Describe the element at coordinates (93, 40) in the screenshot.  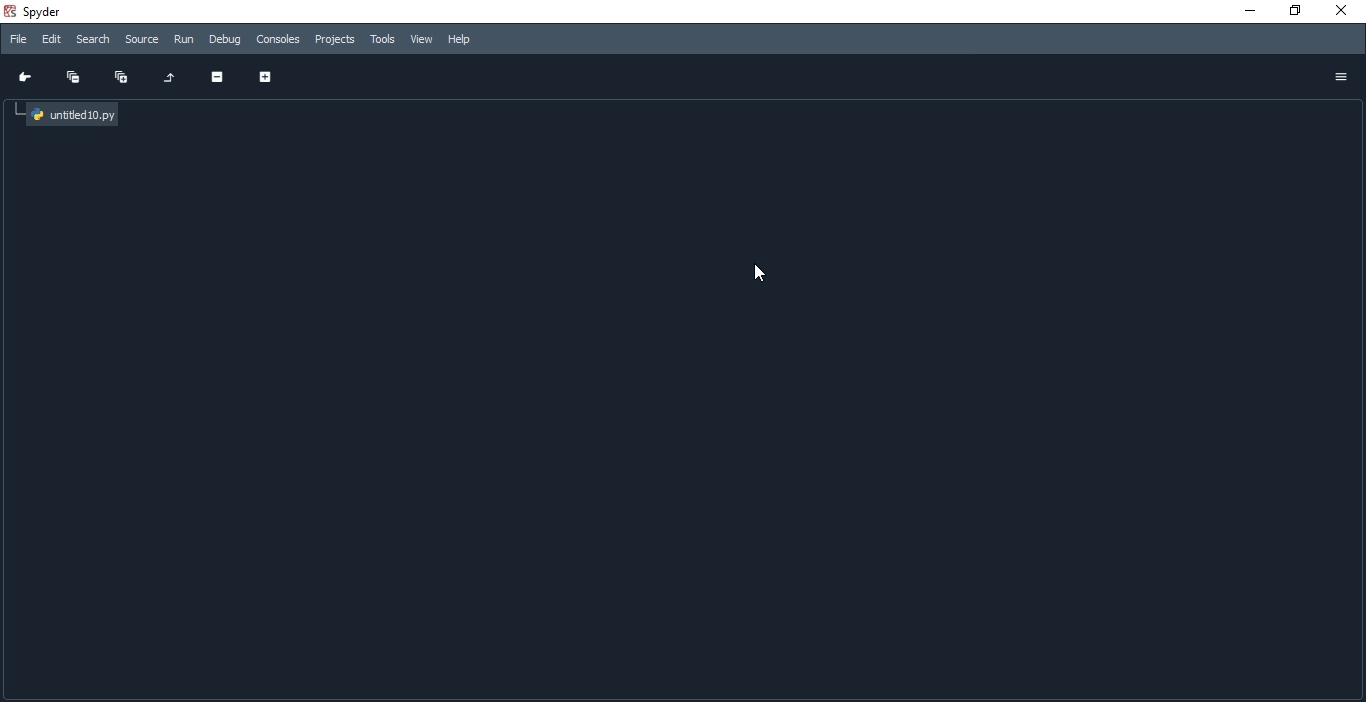
I see `search` at that location.